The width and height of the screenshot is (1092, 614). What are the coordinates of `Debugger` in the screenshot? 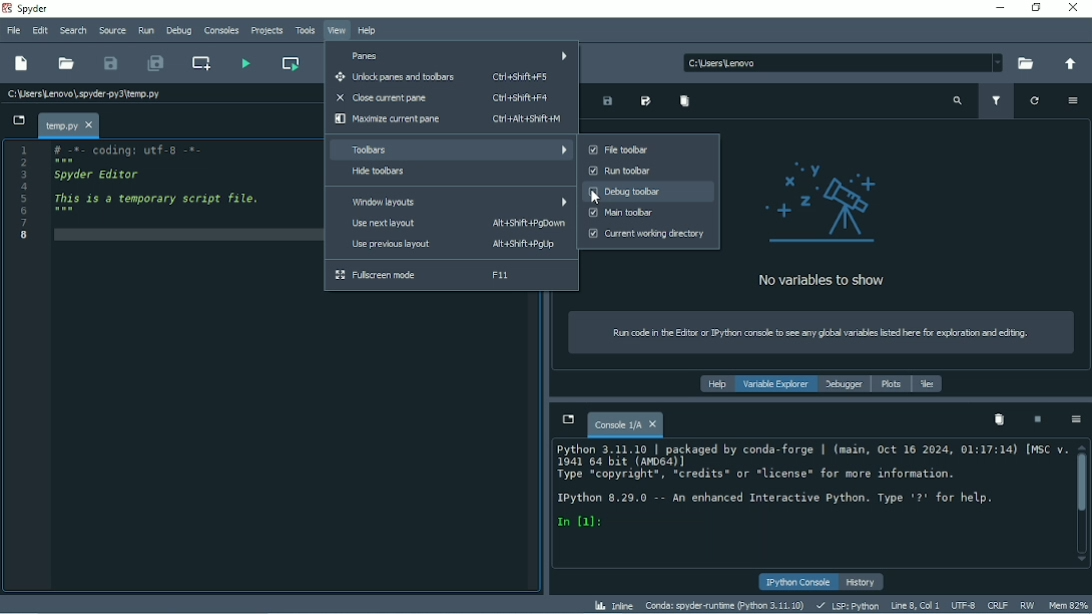 It's located at (844, 385).